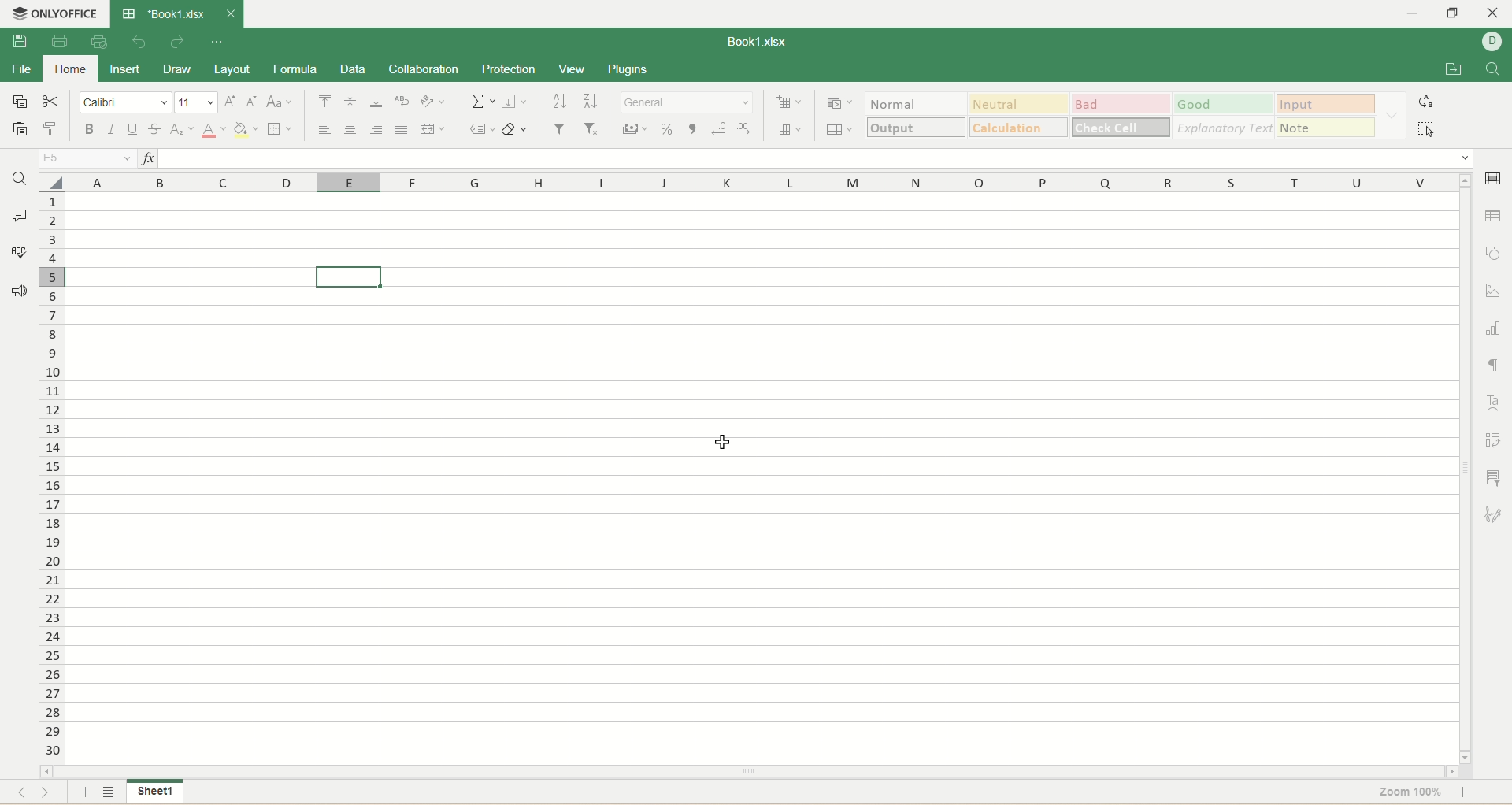 Image resolution: width=1512 pixels, height=805 pixels. What do you see at coordinates (1496, 180) in the screenshot?
I see `cell settings` at bounding box center [1496, 180].